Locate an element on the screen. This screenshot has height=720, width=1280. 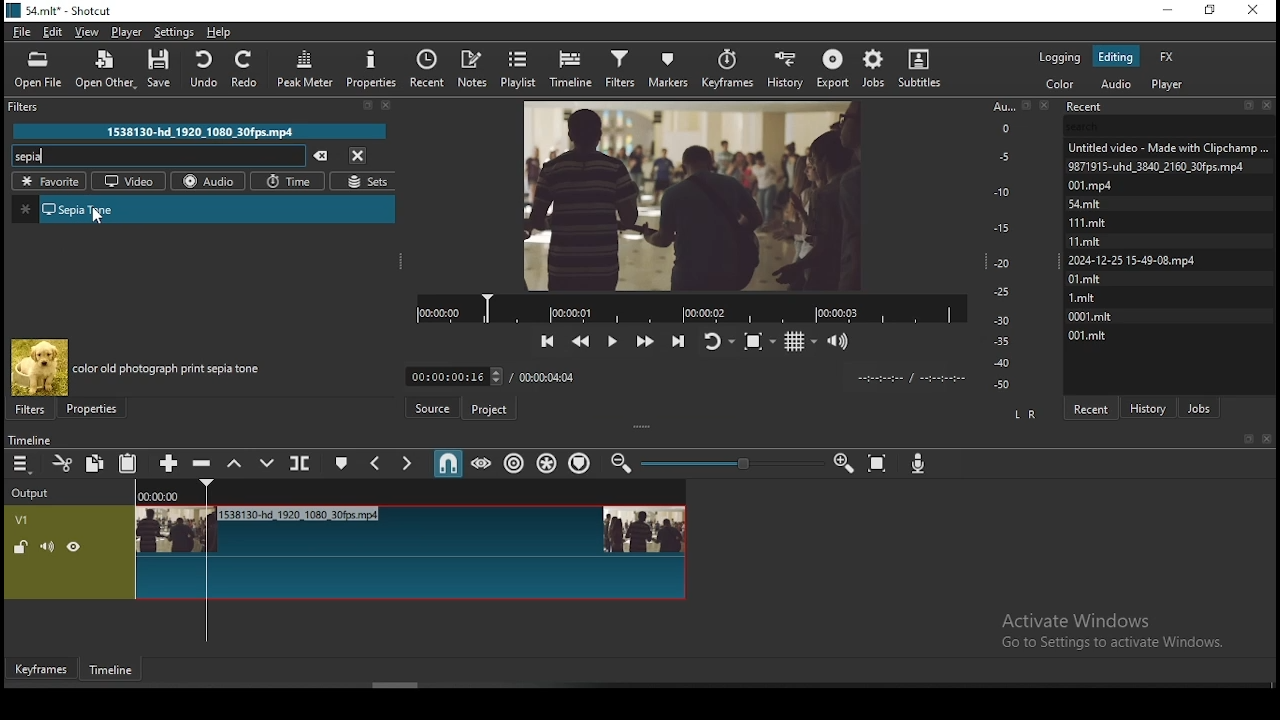
open file is located at coordinates (38, 70).